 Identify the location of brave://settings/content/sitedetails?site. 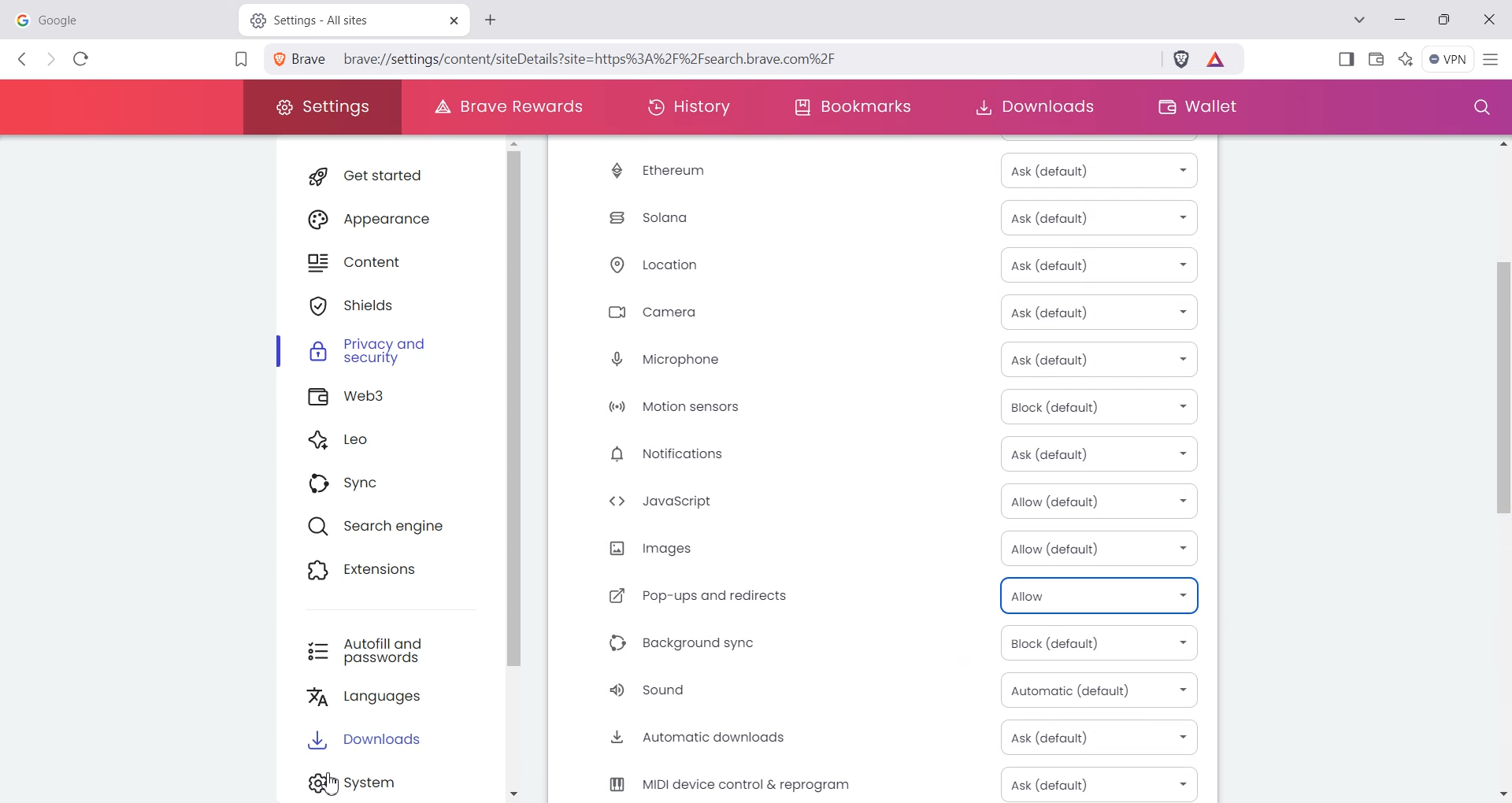
(602, 57).